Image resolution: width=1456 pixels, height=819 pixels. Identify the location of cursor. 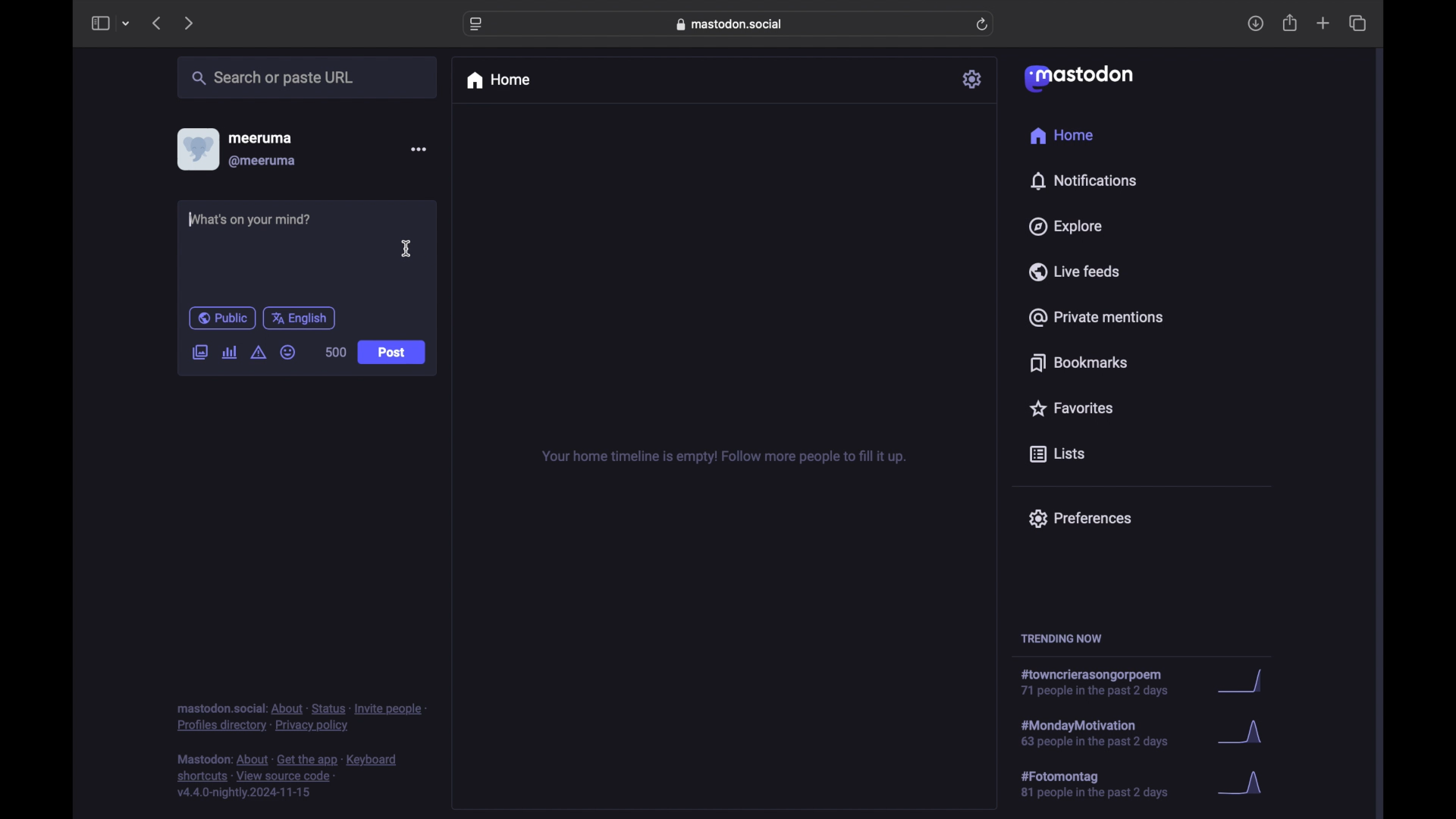
(406, 248).